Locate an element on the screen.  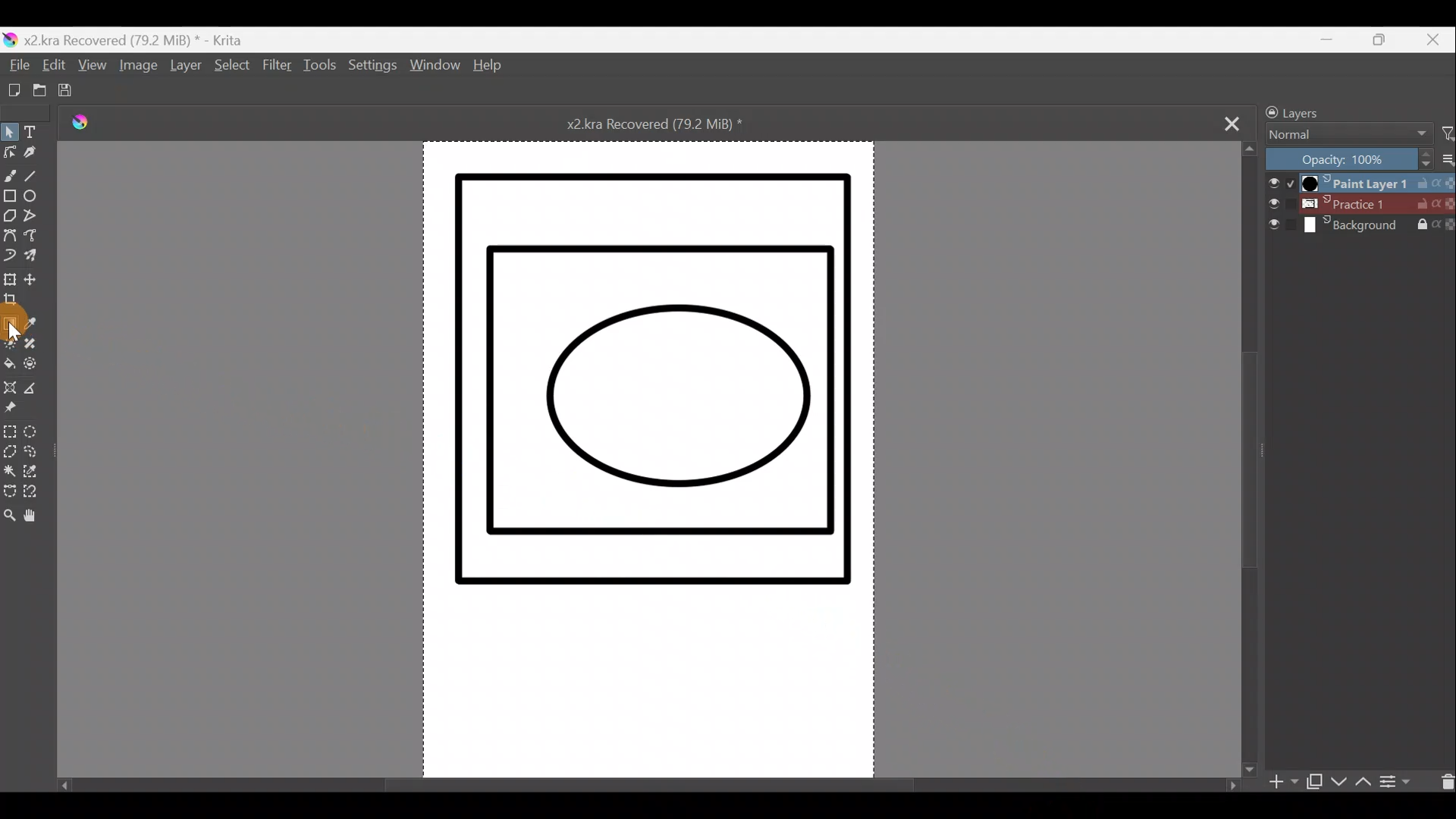
Document name is located at coordinates (670, 123).